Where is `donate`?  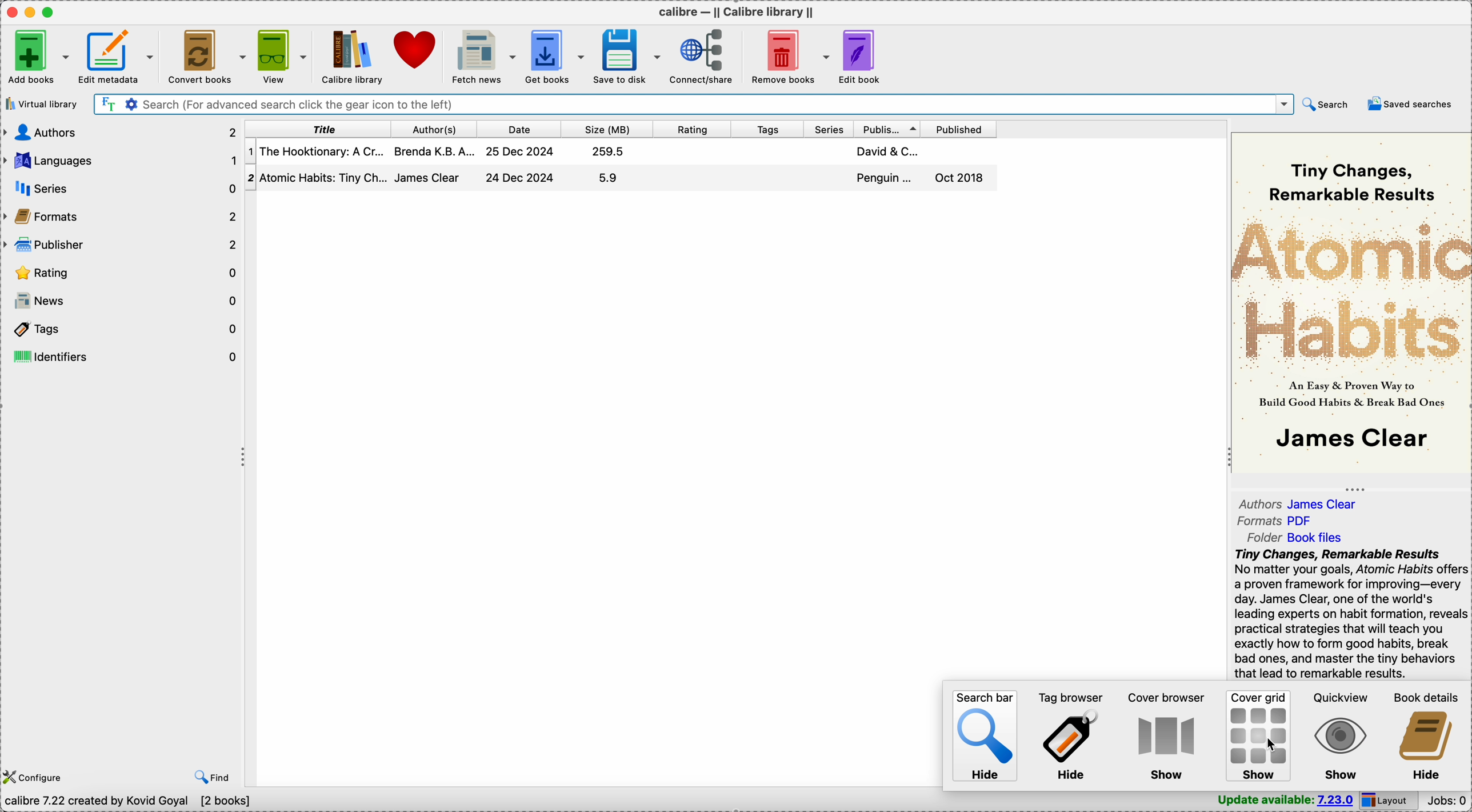 donate is located at coordinates (417, 49).